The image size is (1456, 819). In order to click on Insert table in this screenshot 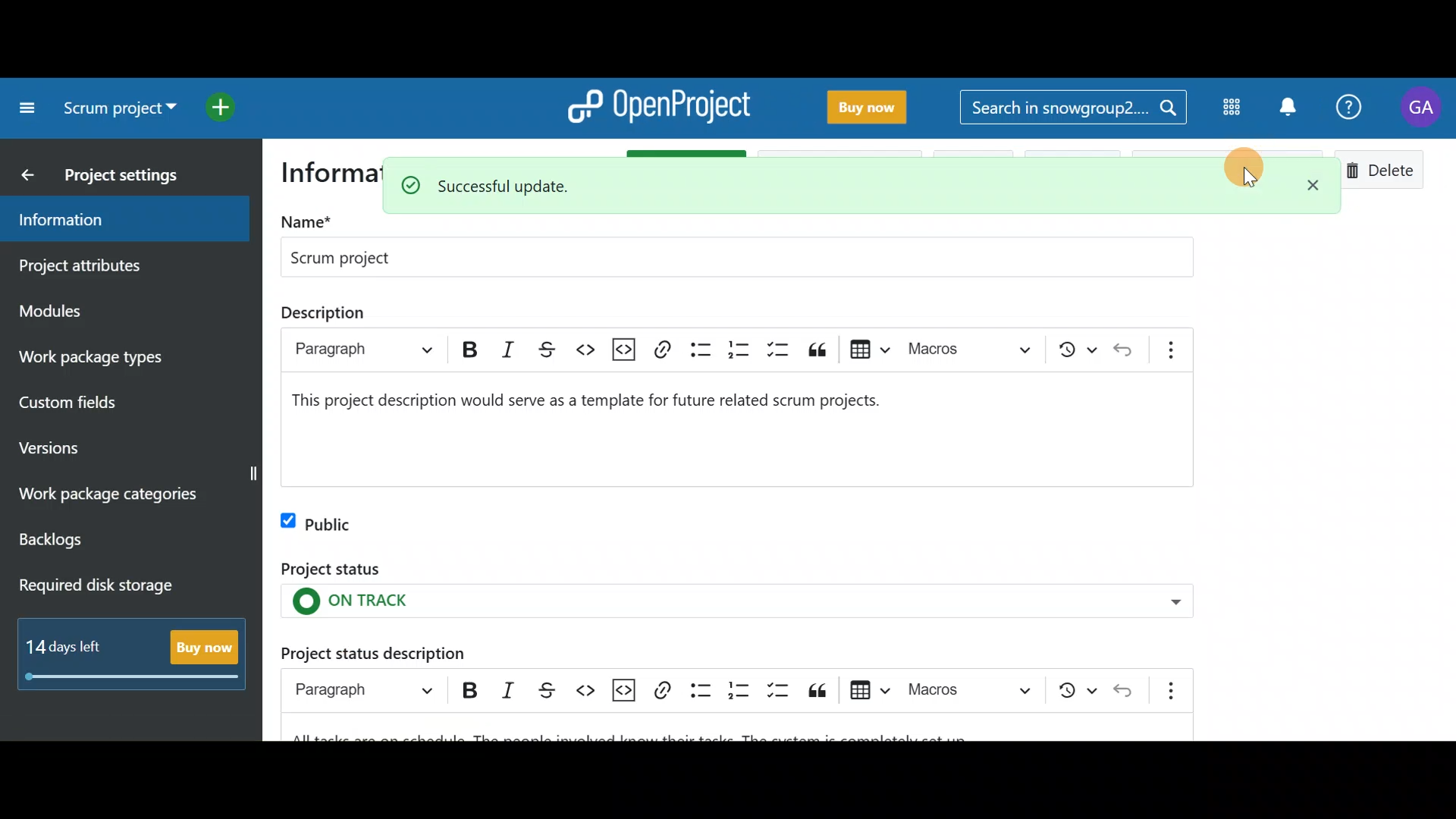, I will do `click(868, 692)`.